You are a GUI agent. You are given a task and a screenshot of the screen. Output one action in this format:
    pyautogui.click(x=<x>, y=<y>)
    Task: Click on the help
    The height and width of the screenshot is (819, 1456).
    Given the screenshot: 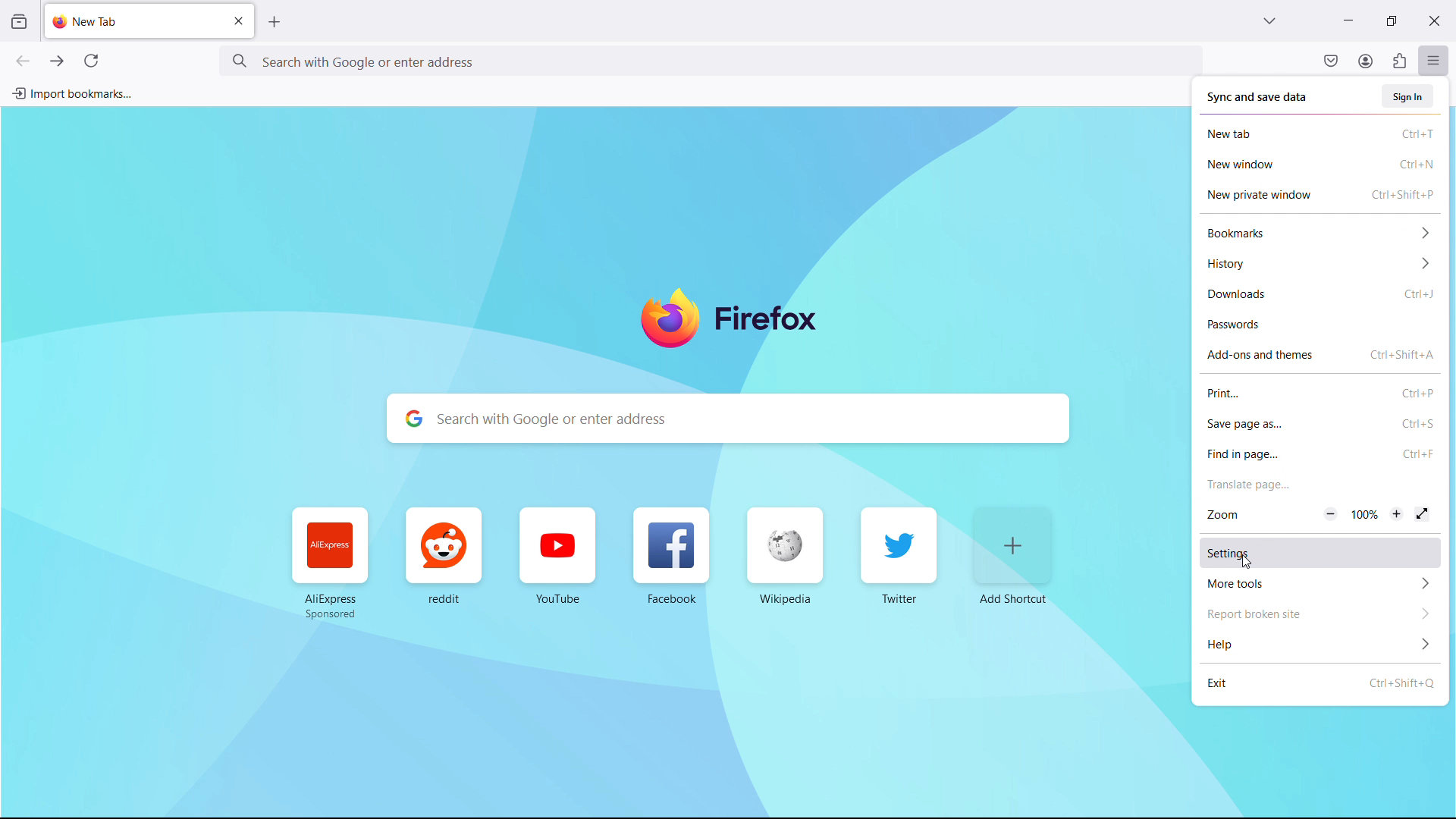 What is the action you would take?
    pyautogui.click(x=1320, y=643)
    